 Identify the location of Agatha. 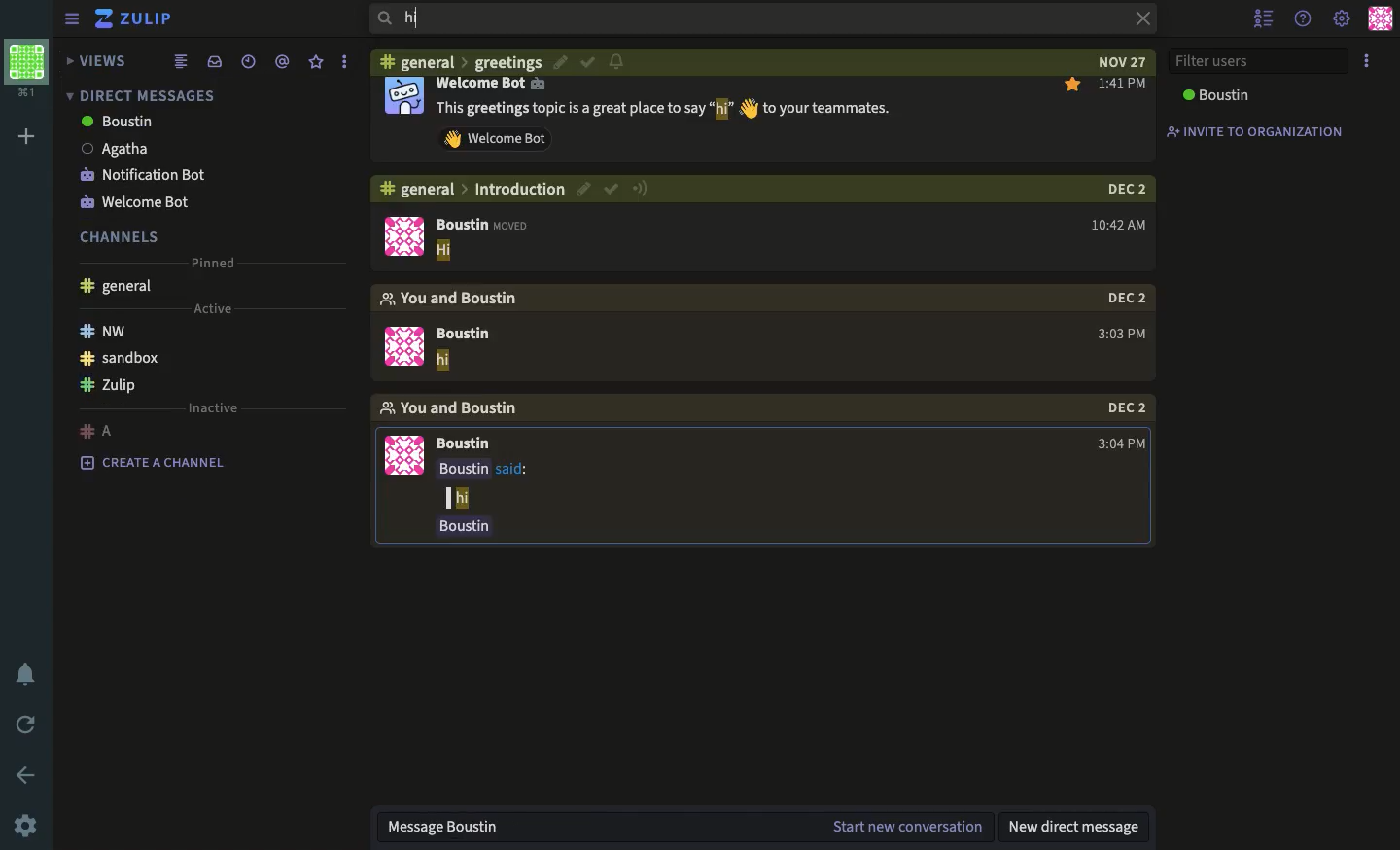
(119, 150).